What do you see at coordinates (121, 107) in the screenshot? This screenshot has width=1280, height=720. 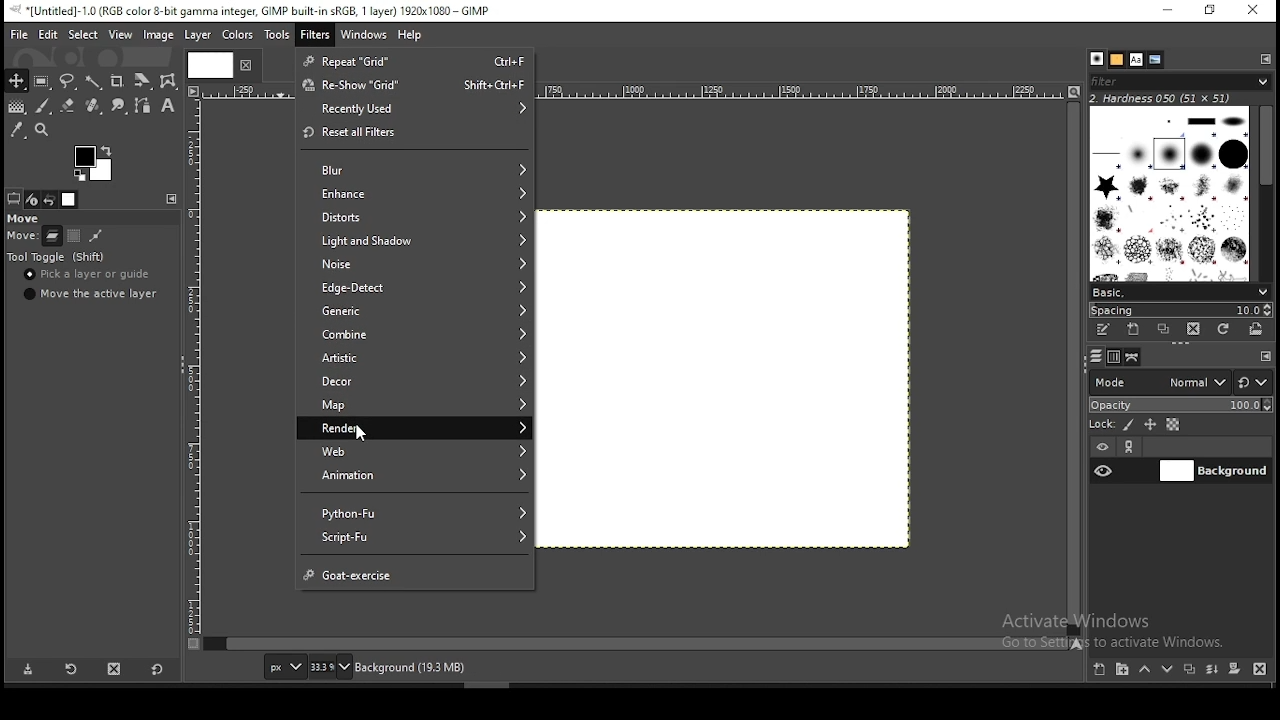 I see `smudge tool` at bounding box center [121, 107].